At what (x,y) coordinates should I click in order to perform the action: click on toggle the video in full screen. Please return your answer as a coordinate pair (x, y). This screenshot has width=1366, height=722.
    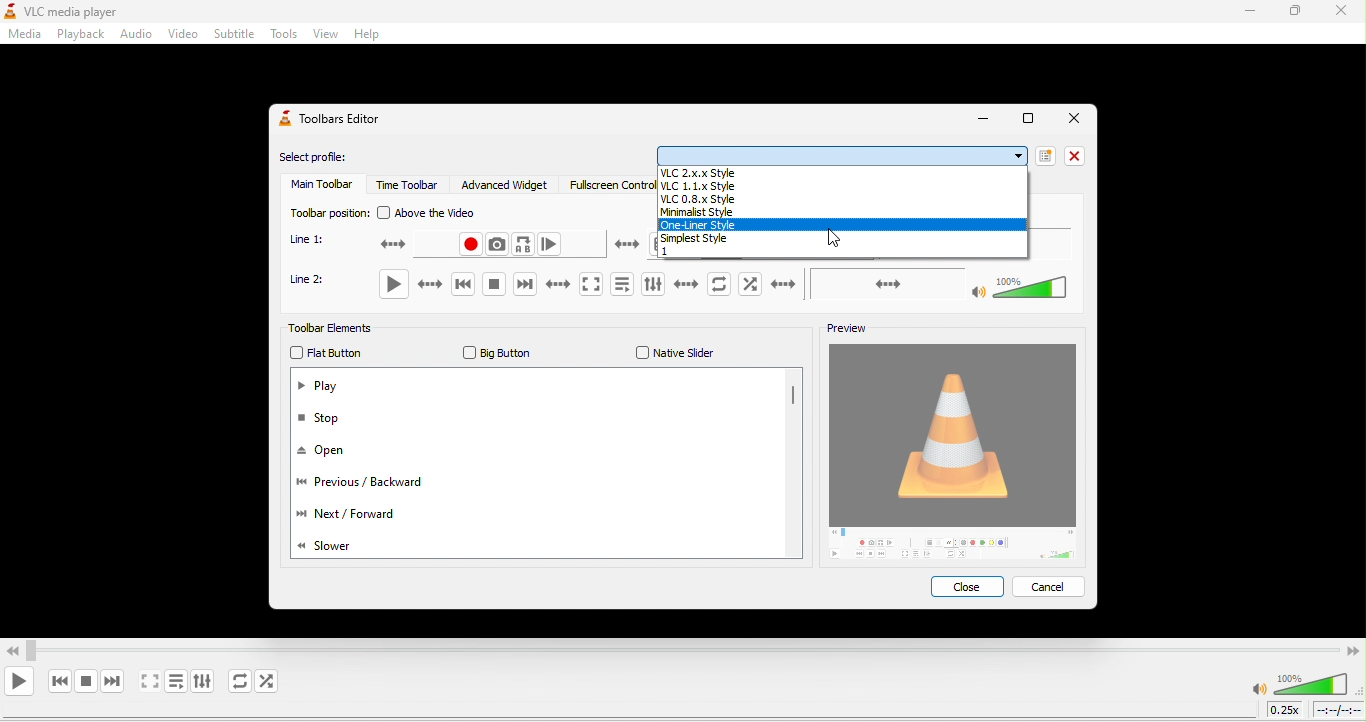
    Looking at the image, I should click on (571, 283).